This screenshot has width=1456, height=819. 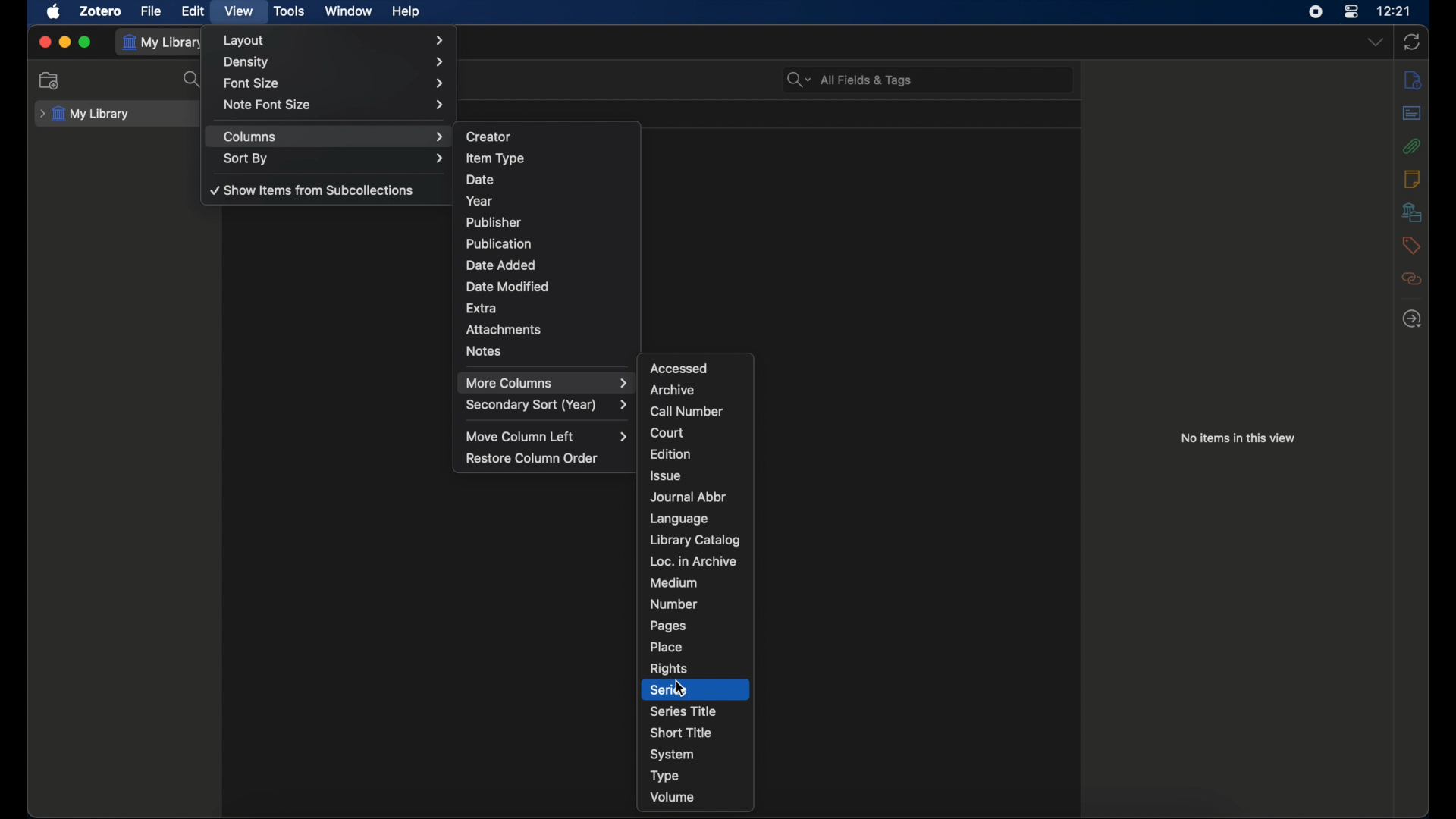 What do you see at coordinates (349, 11) in the screenshot?
I see `window` at bounding box center [349, 11].